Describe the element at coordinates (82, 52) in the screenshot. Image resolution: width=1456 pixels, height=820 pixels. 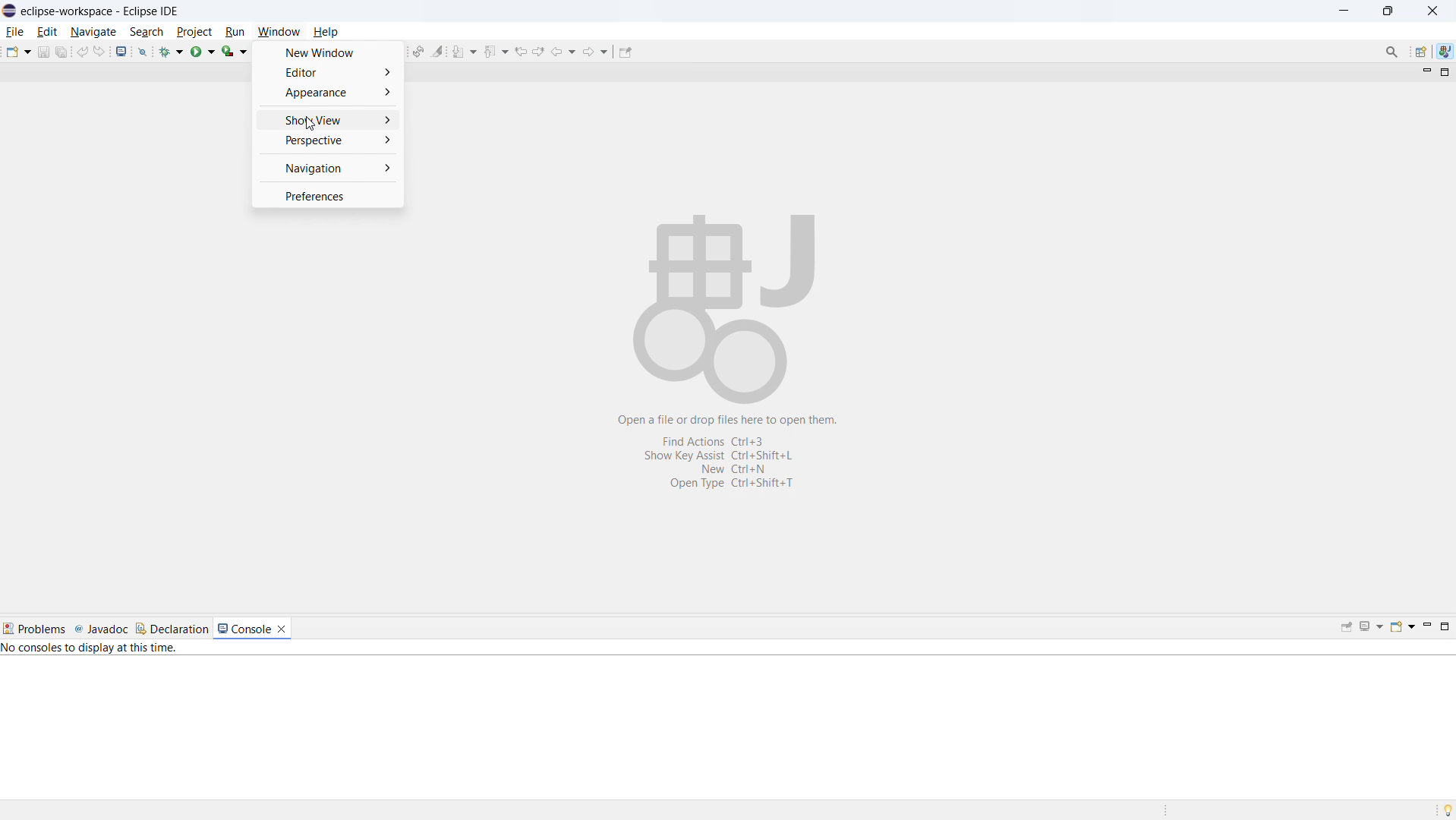
I see `undo` at that location.